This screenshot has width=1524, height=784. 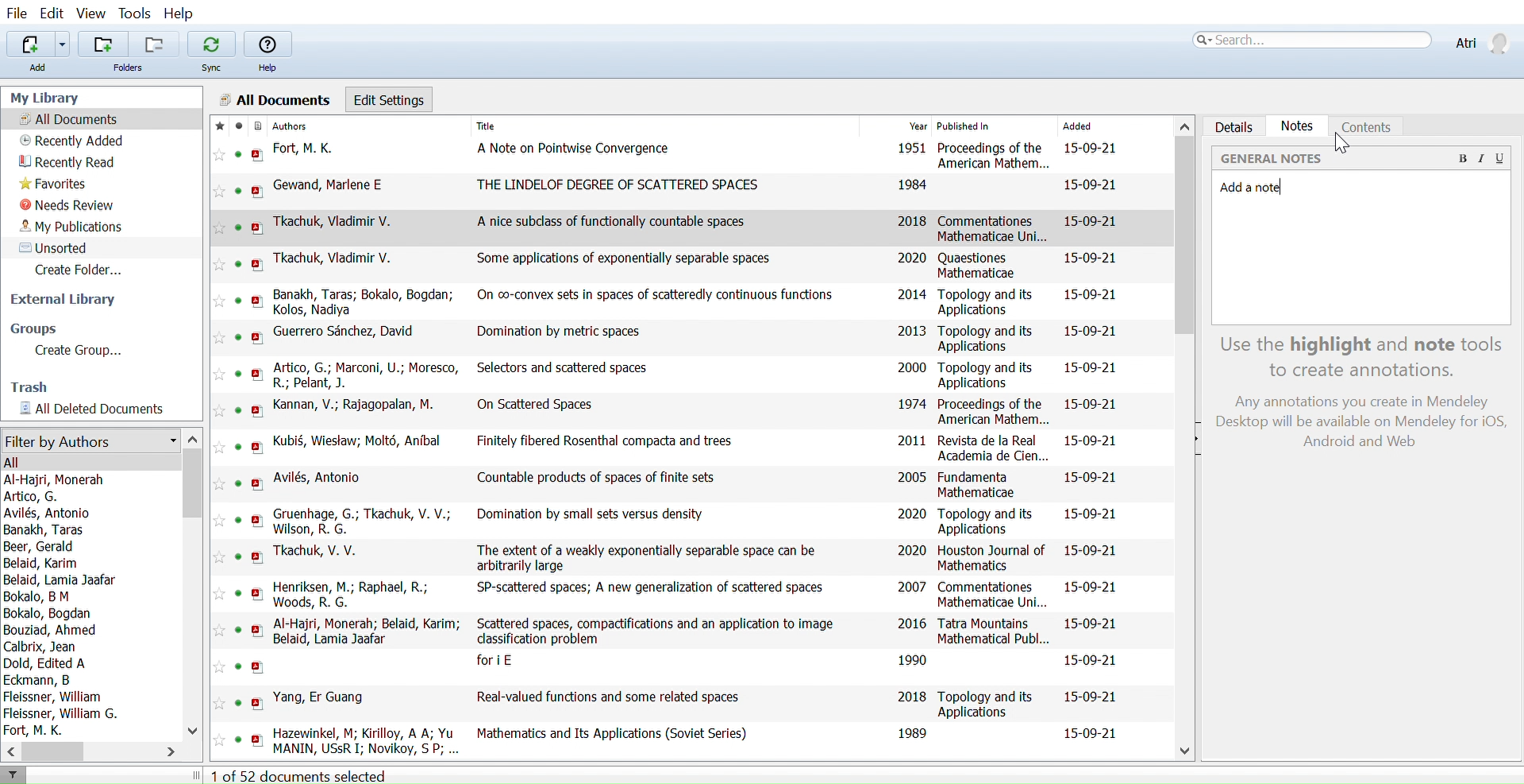 What do you see at coordinates (152, 44) in the screenshot?
I see `Remove folders` at bounding box center [152, 44].